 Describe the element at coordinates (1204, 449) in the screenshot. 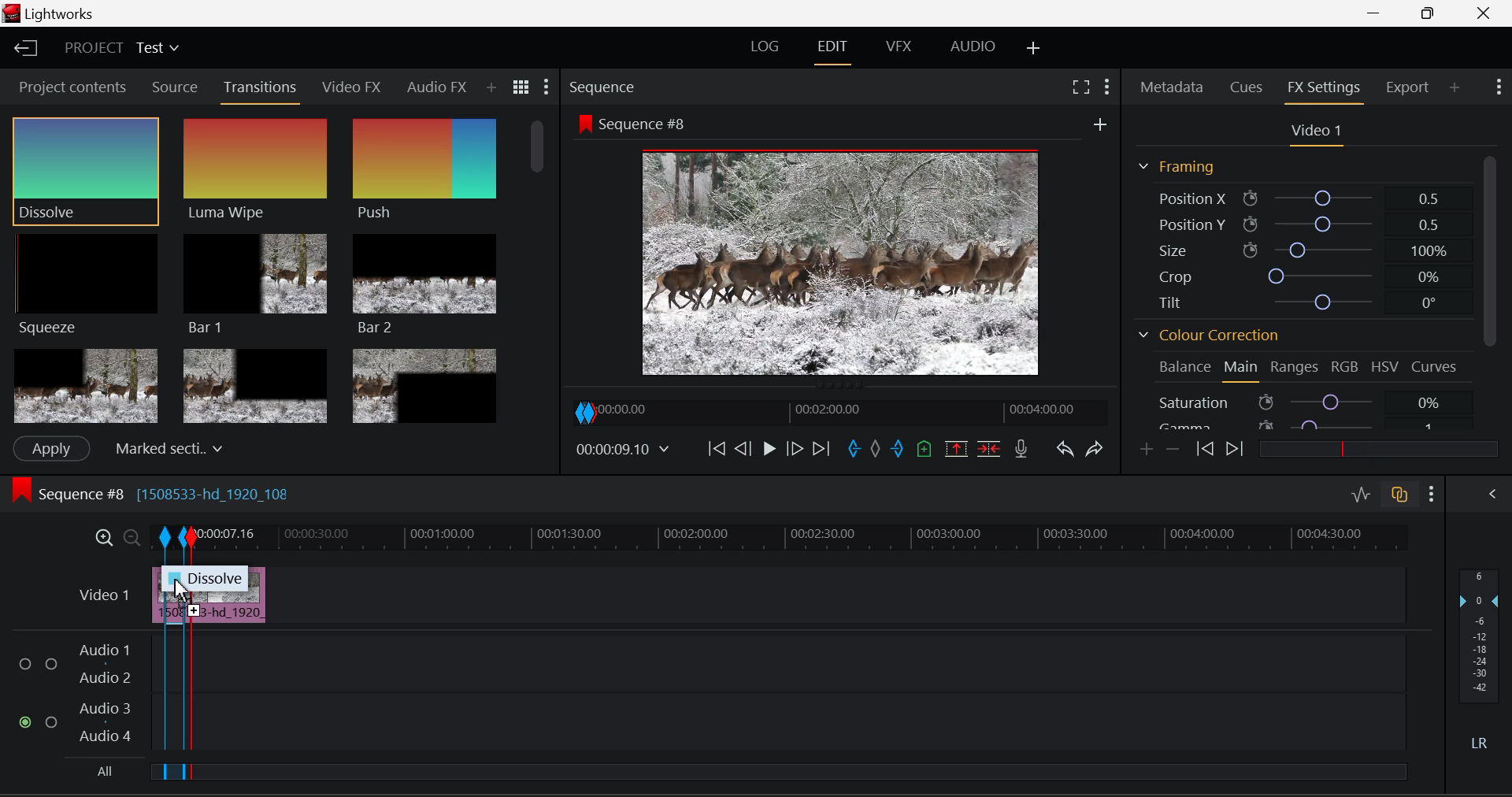

I see `Previous keyframe` at that location.